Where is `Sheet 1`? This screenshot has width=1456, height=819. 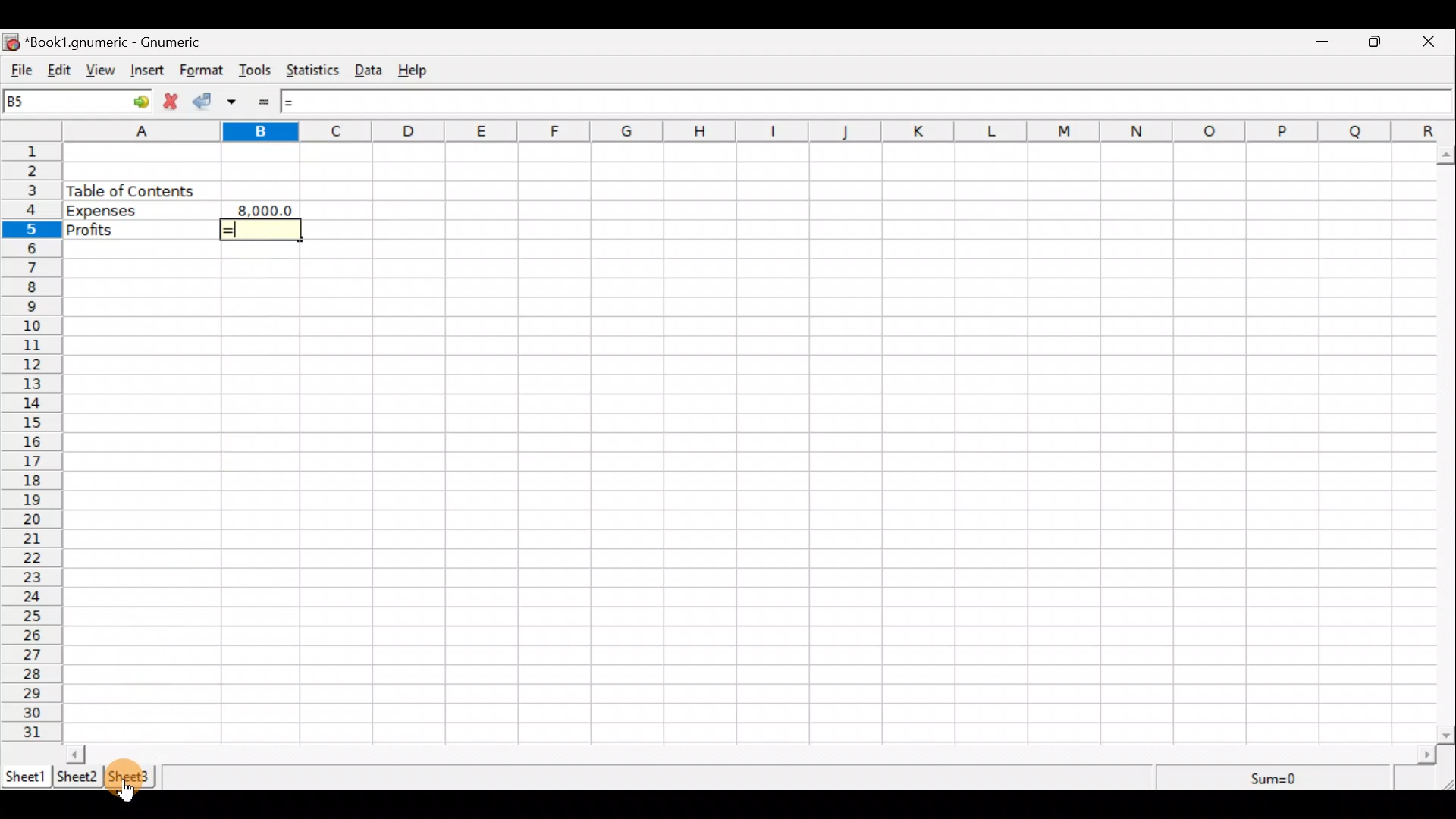
Sheet 1 is located at coordinates (26, 775).